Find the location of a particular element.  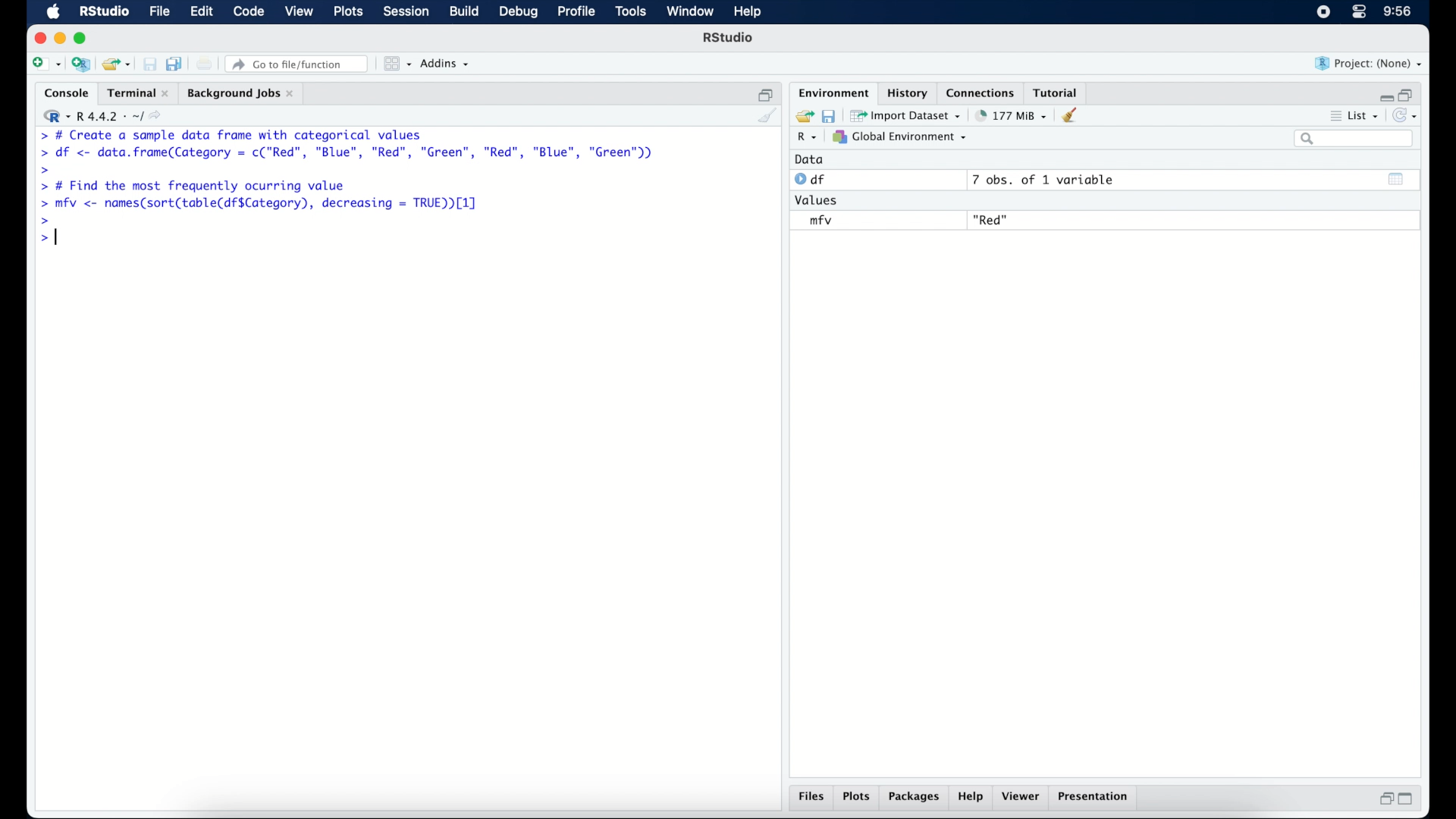

list is located at coordinates (1366, 115).